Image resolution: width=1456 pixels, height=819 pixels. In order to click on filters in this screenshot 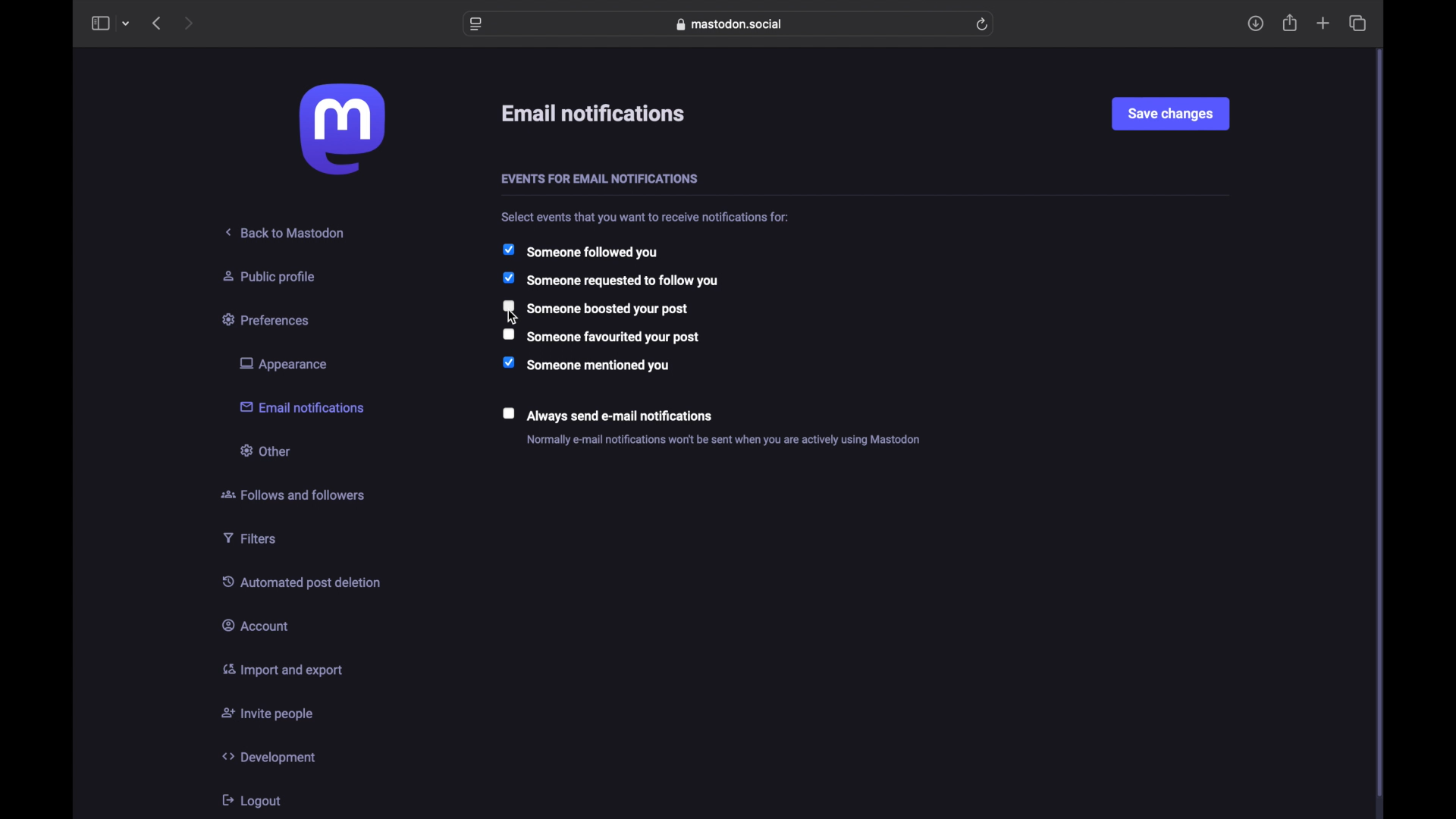, I will do `click(249, 538)`.